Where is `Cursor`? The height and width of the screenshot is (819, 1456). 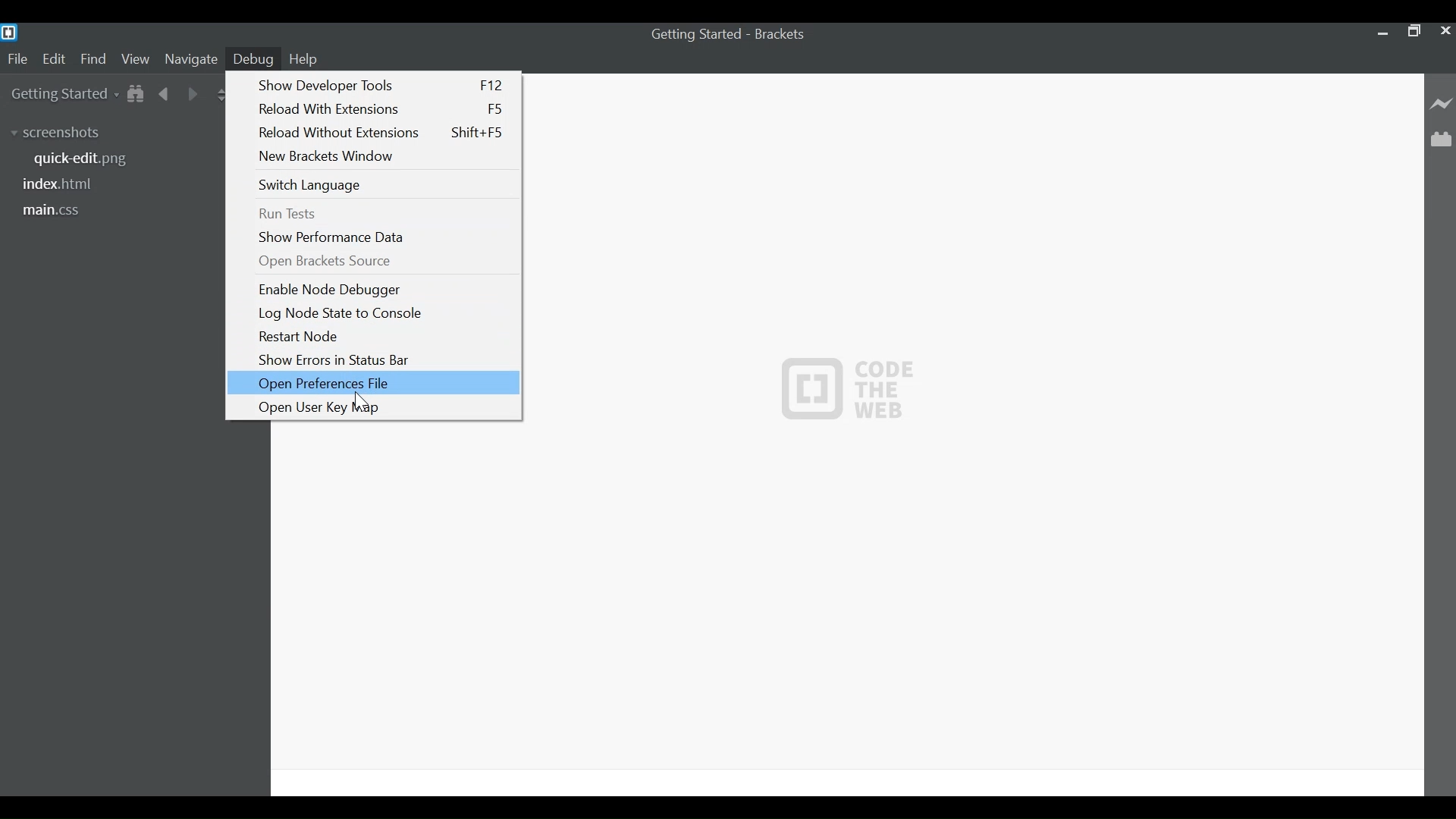 Cursor is located at coordinates (366, 400).